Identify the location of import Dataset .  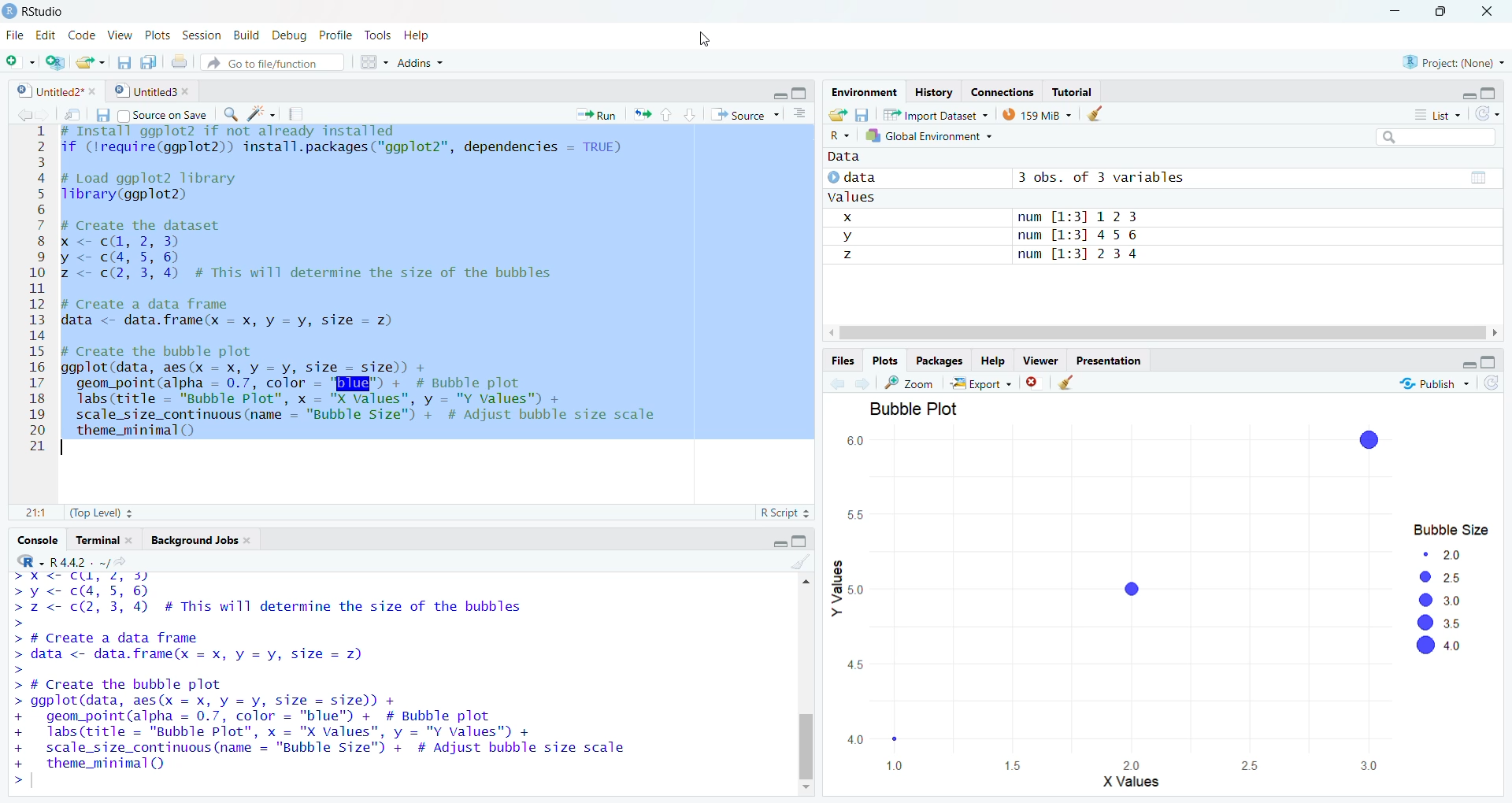
(933, 112).